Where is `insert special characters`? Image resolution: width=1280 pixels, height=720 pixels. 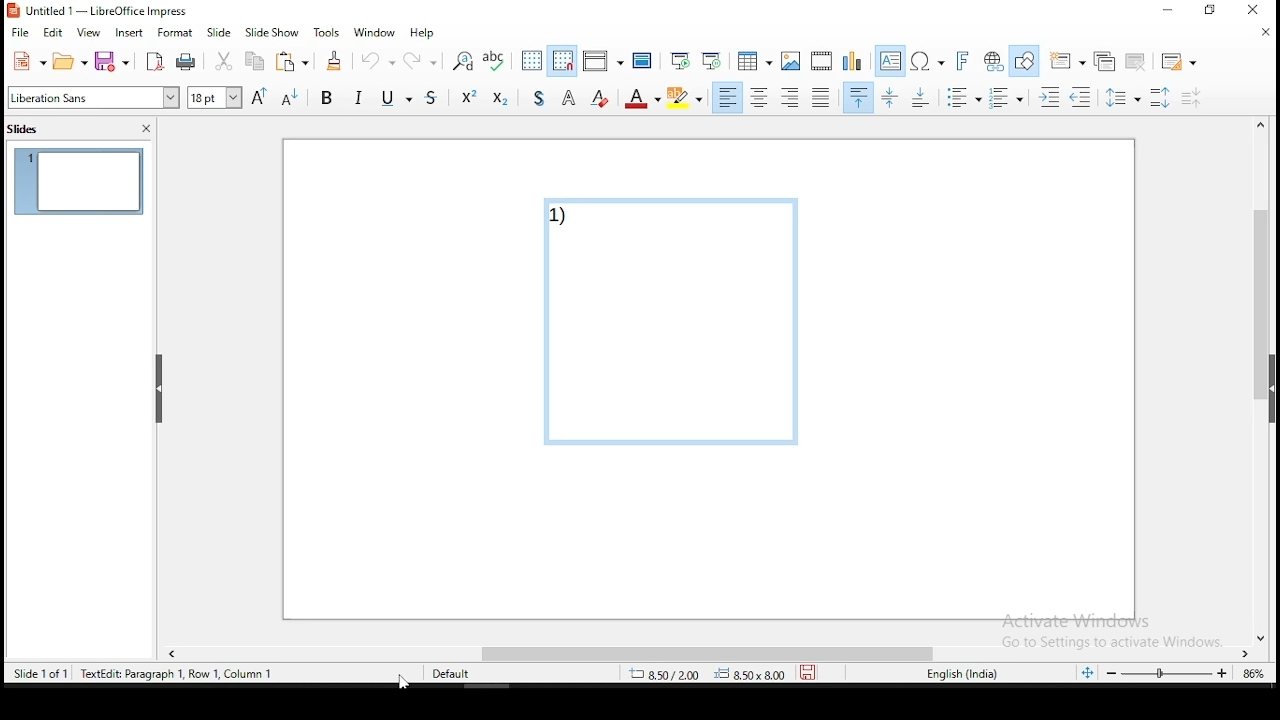
insert special characters is located at coordinates (926, 62).